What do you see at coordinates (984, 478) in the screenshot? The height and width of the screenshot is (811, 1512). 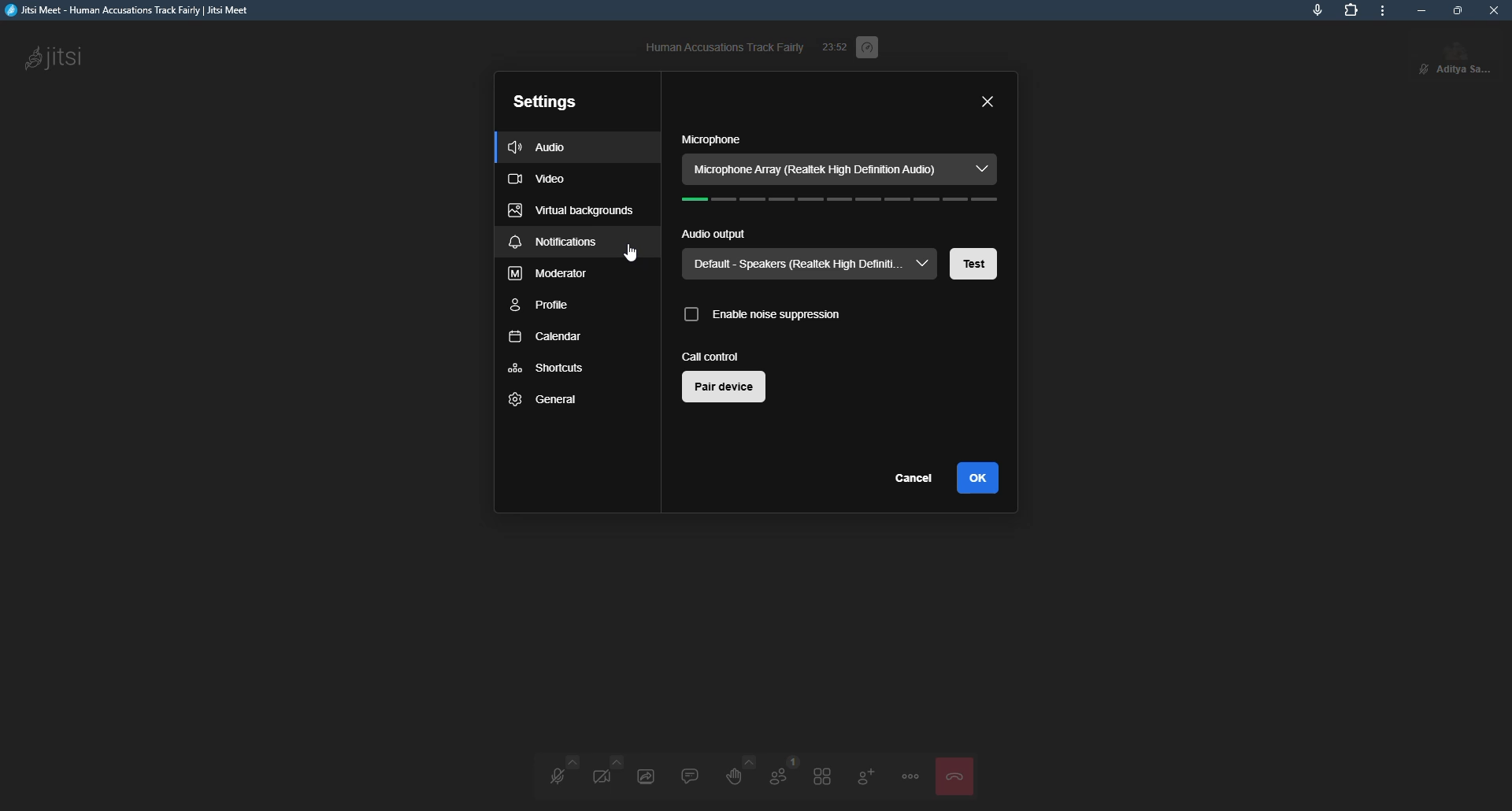 I see `ok` at bounding box center [984, 478].